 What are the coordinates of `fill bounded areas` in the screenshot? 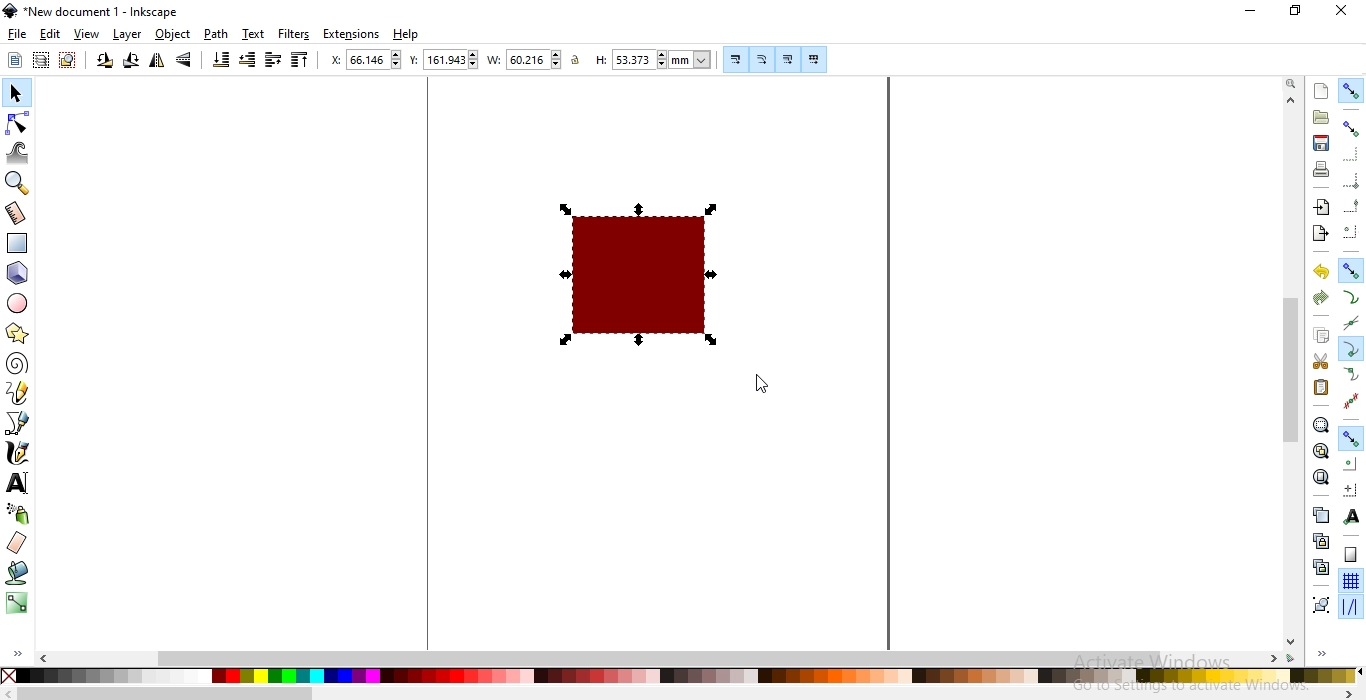 It's located at (16, 575).